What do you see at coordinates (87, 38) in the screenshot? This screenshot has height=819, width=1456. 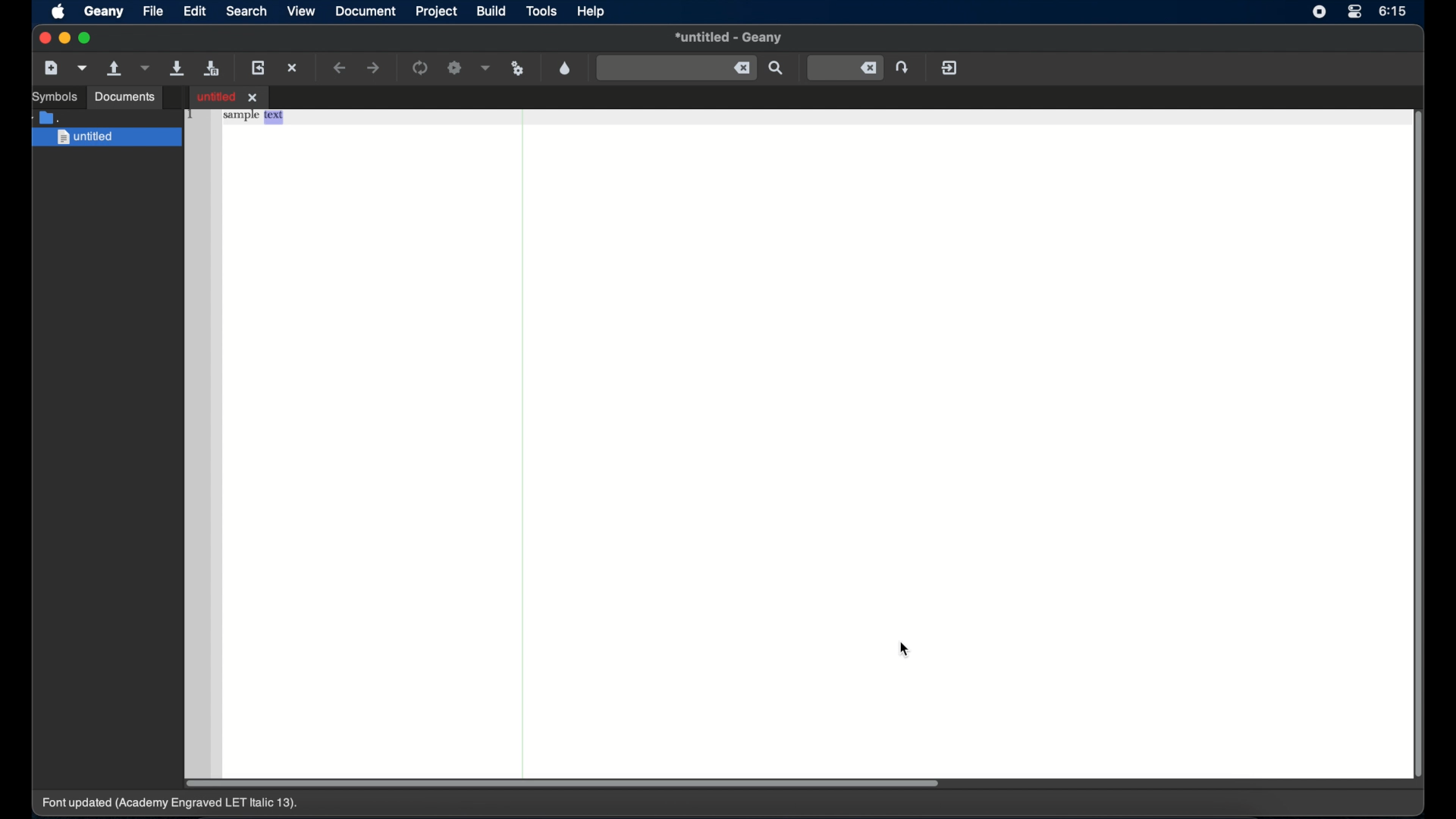 I see `maximize` at bounding box center [87, 38].